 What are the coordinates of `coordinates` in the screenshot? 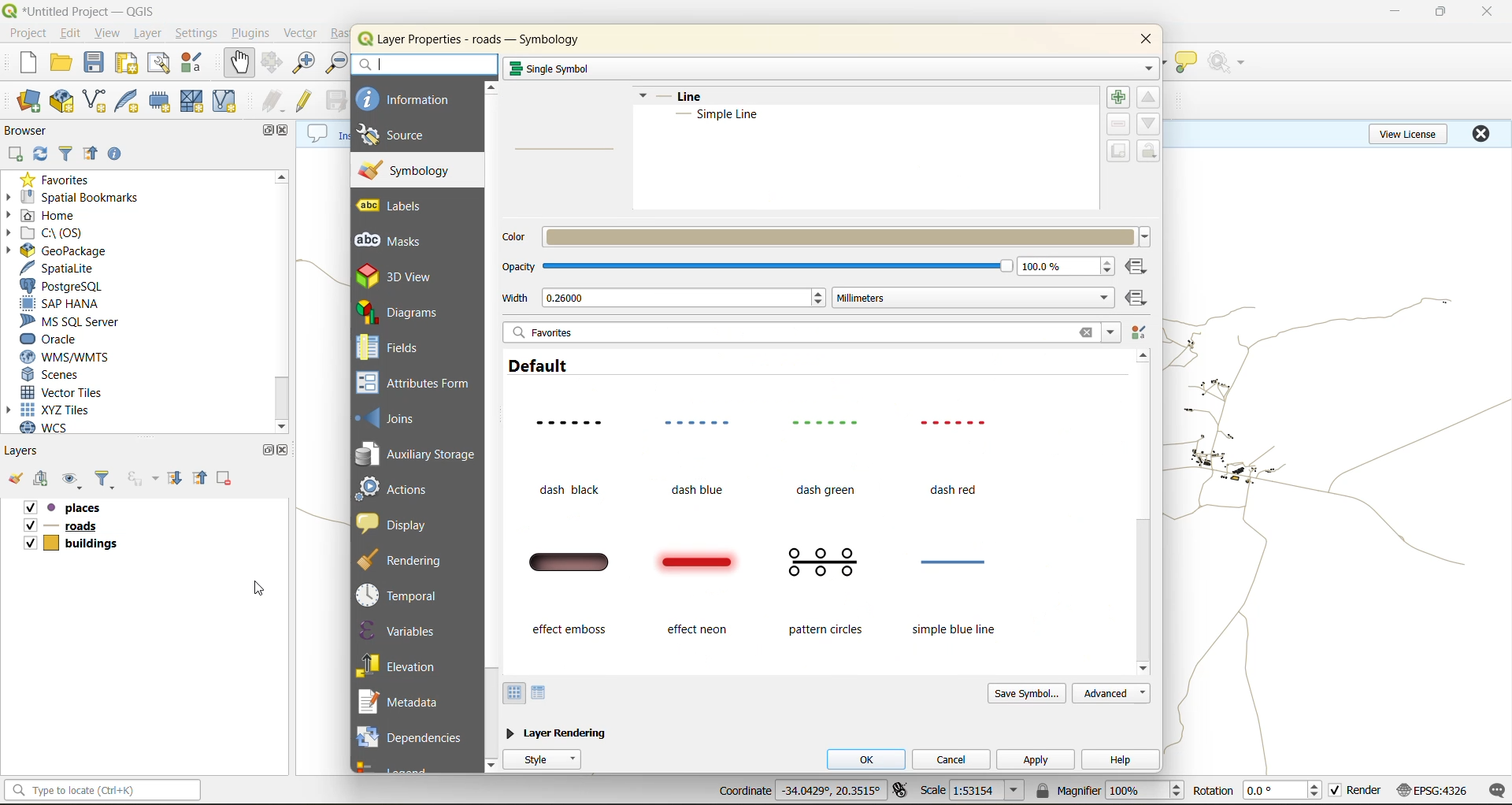 It's located at (799, 792).